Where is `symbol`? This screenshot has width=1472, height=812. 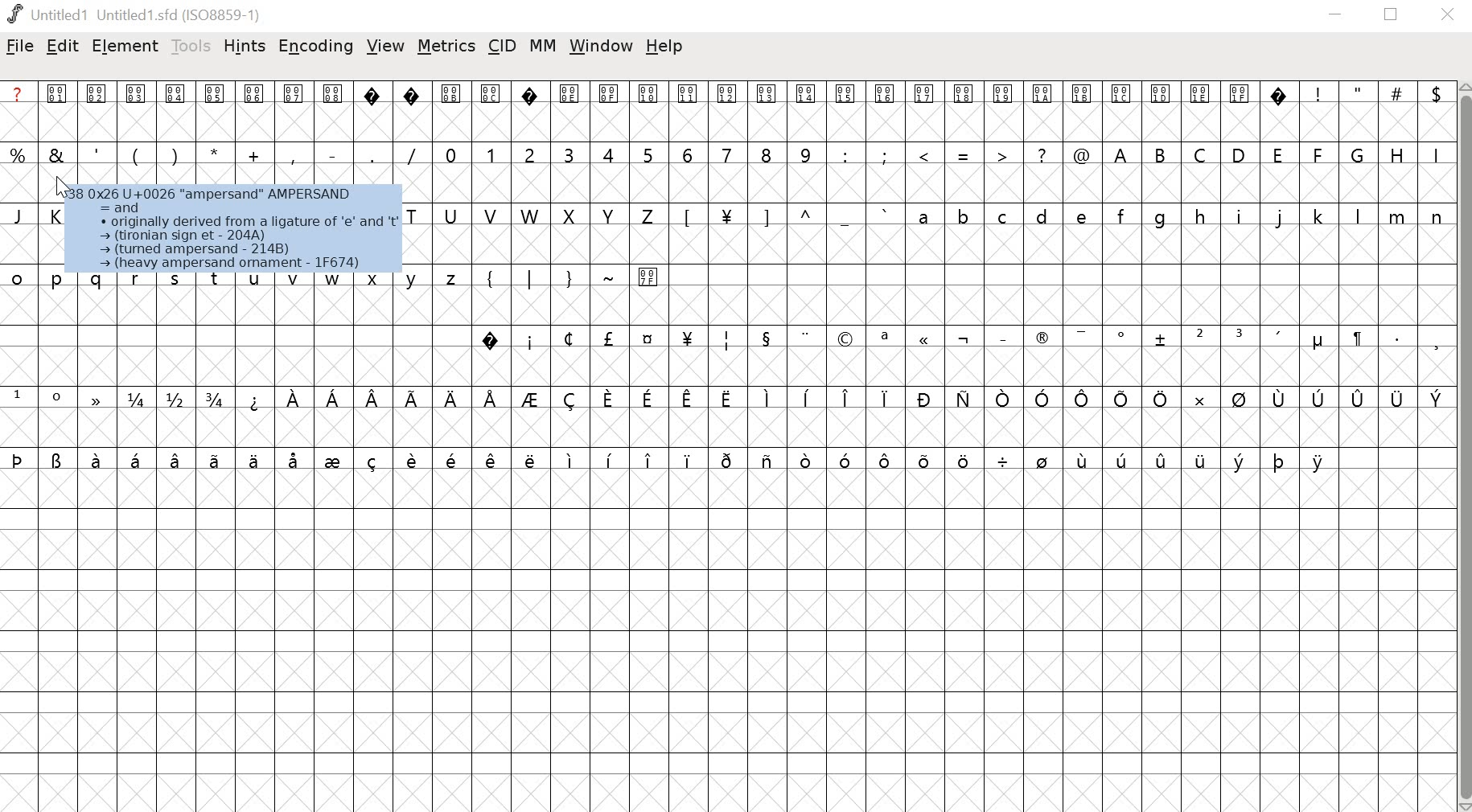
symbol is located at coordinates (217, 459).